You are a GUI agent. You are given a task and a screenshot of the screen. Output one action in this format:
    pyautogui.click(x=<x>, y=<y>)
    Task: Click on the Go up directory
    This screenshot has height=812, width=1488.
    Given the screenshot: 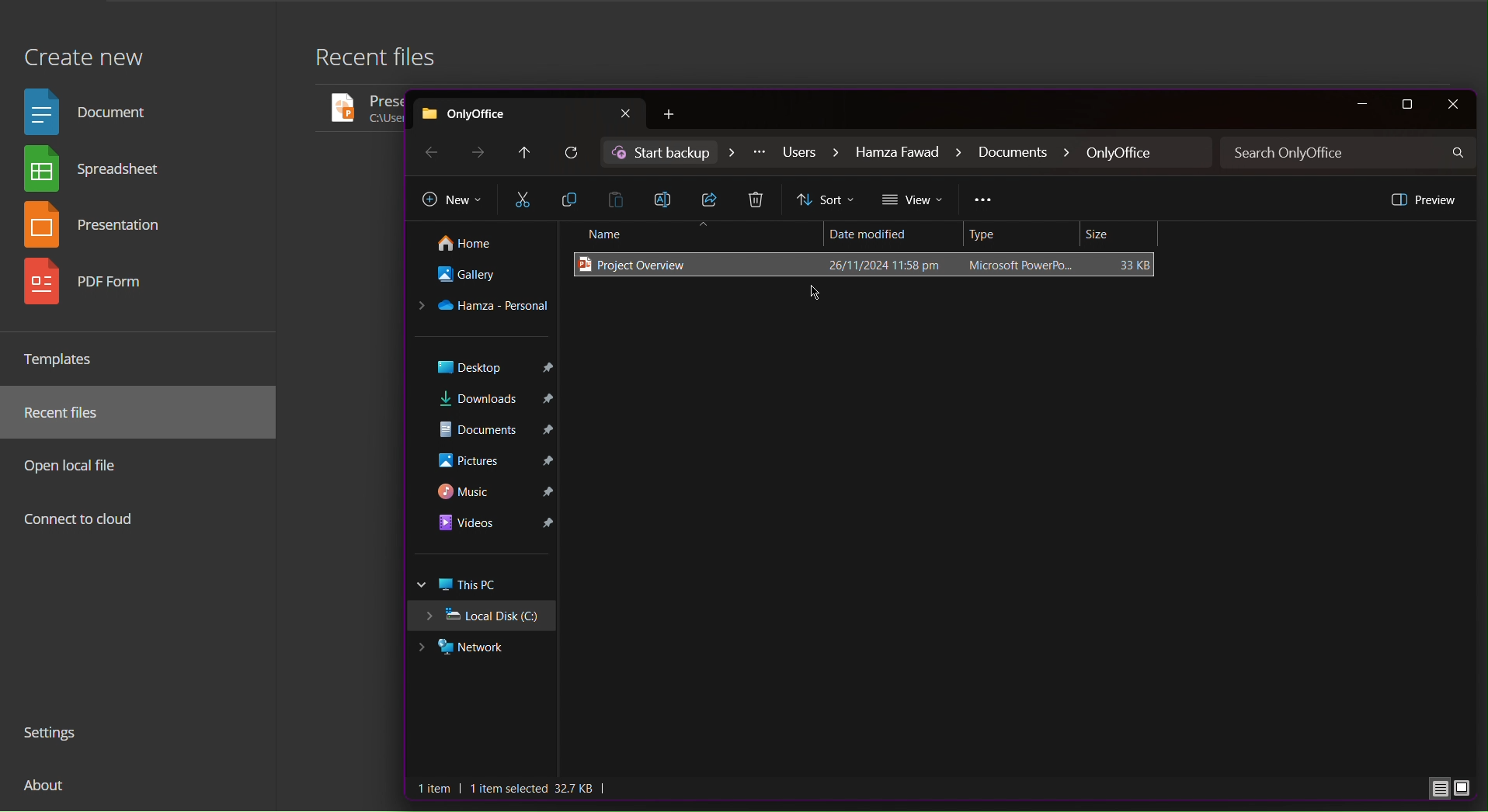 What is the action you would take?
    pyautogui.click(x=523, y=153)
    